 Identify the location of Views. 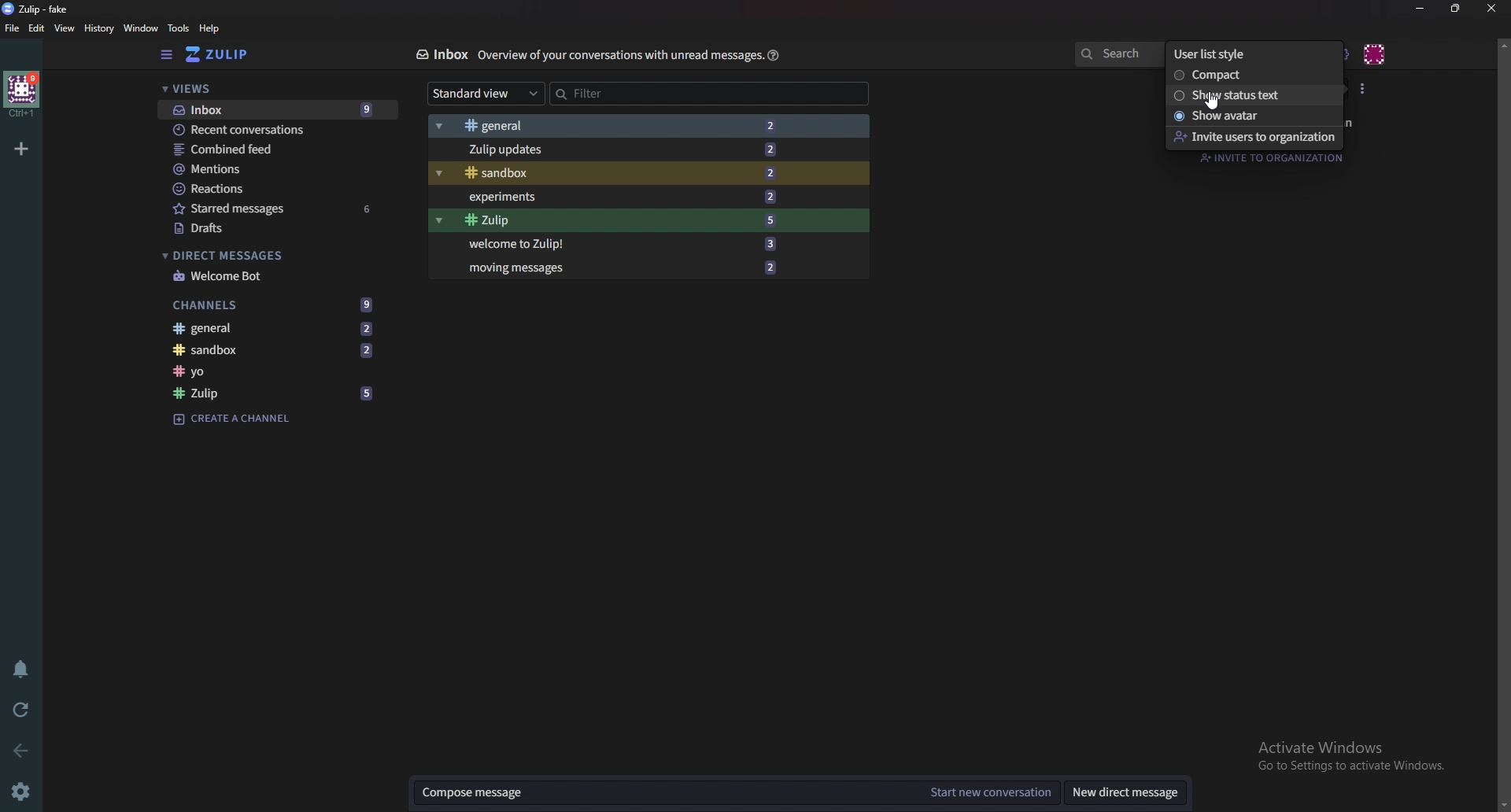
(268, 90).